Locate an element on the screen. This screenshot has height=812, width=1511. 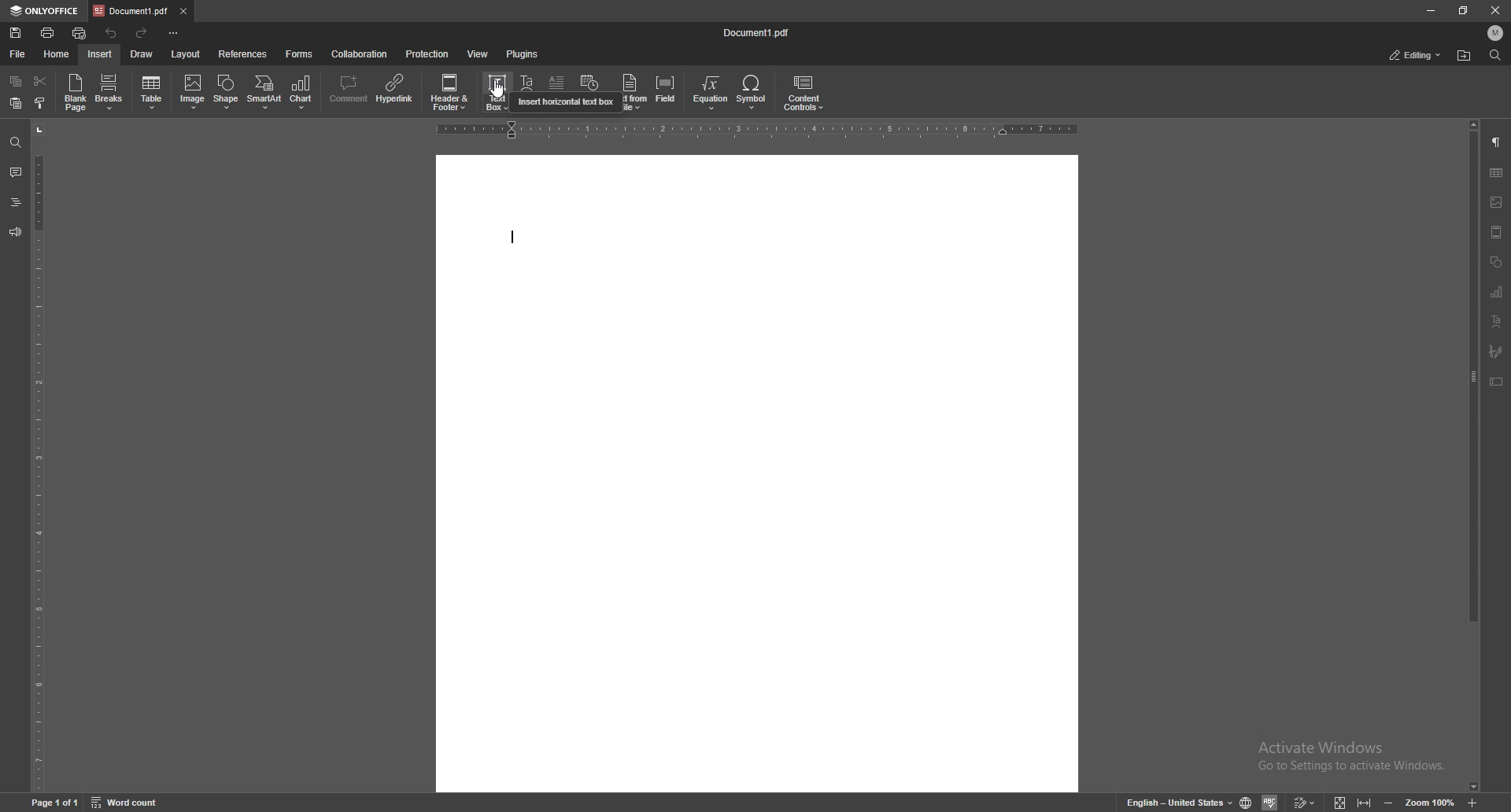
tab is located at coordinates (131, 11).